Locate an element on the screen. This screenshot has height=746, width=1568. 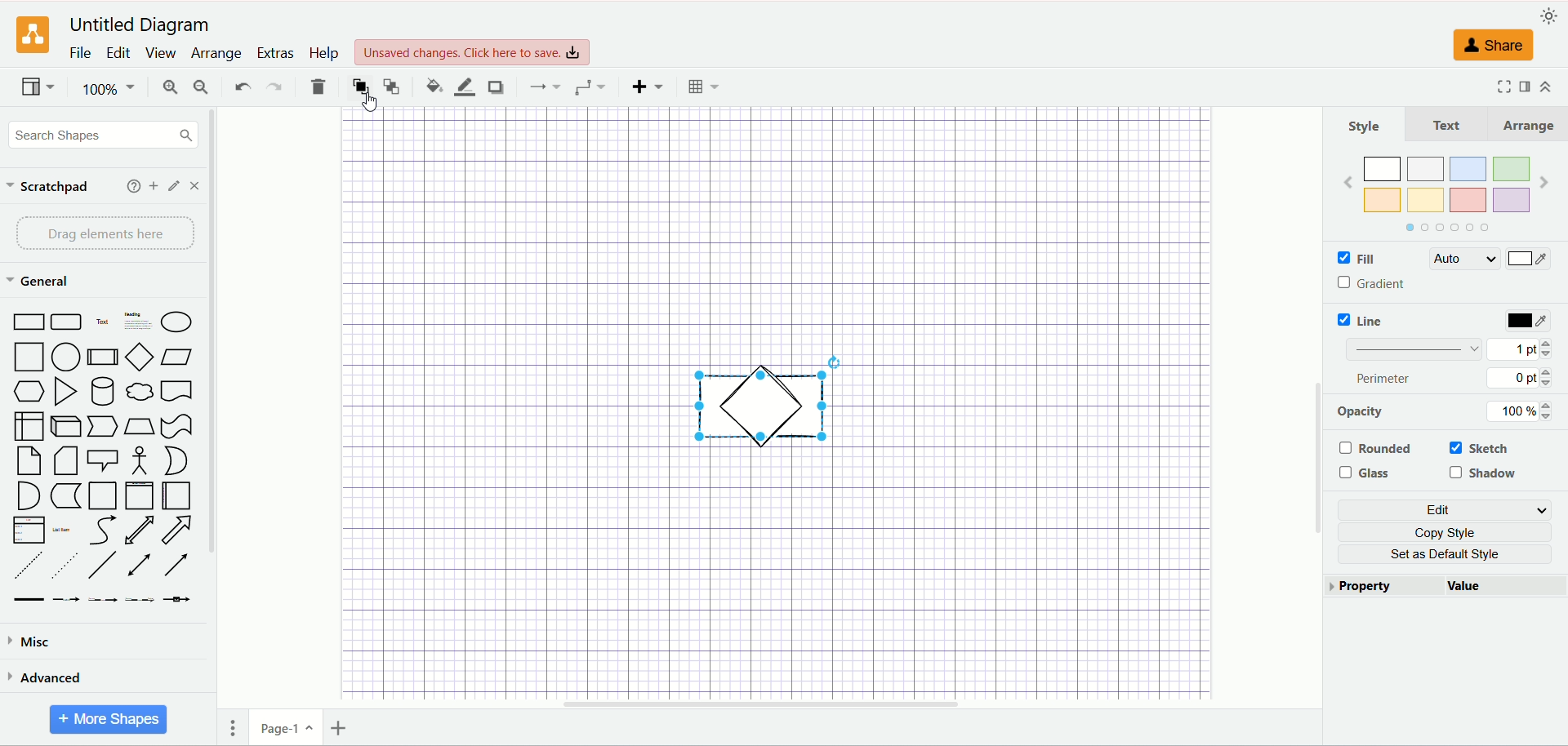
Parallelogram is located at coordinates (176, 356).